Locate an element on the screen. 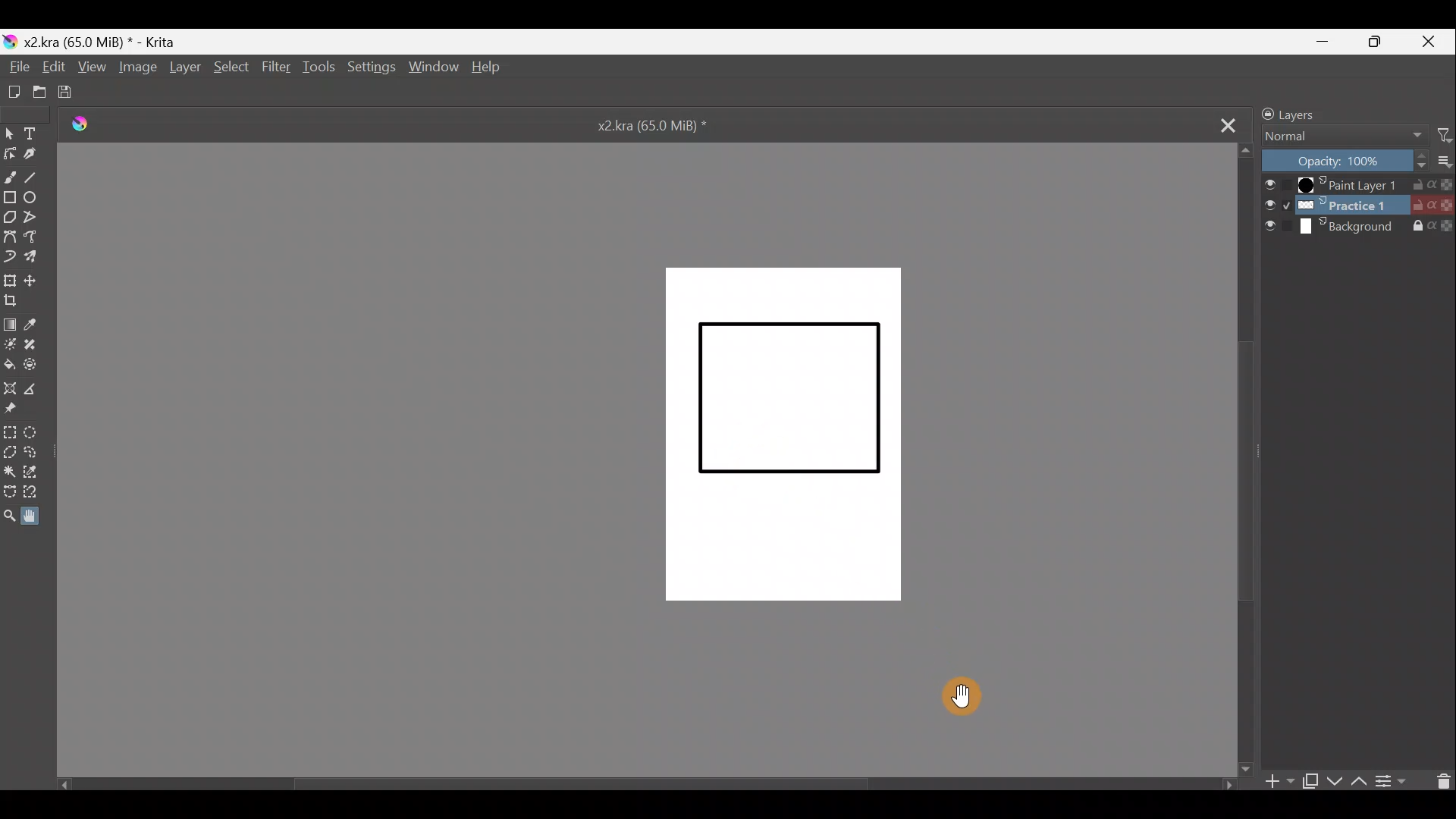 The height and width of the screenshot is (819, 1456). Delete a layer is located at coordinates (1439, 780).